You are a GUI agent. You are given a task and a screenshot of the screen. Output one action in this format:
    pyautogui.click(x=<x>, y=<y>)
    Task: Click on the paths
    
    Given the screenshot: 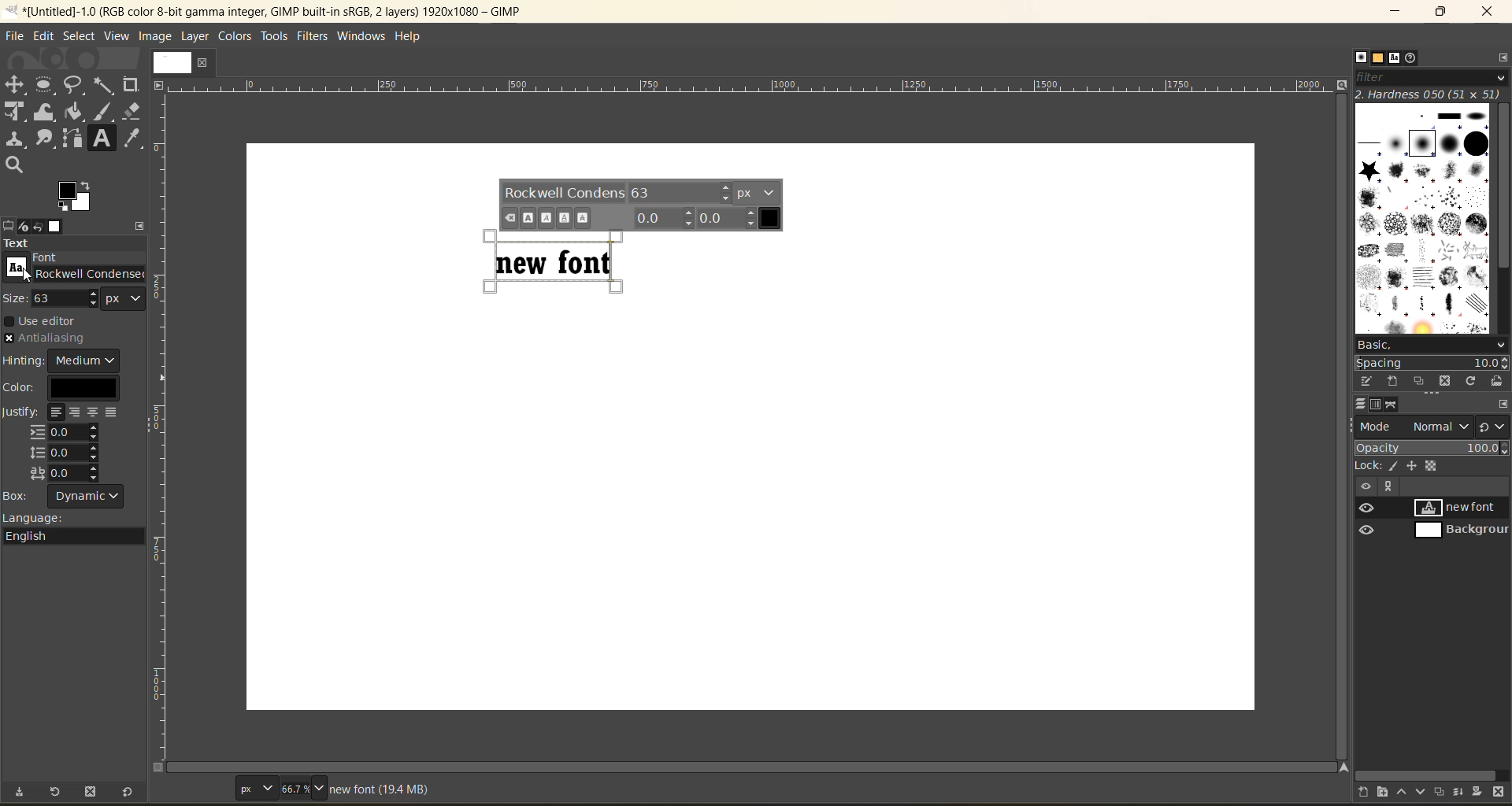 What is the action you would take?
    pyautogui.click(x=1392, y=404)
    